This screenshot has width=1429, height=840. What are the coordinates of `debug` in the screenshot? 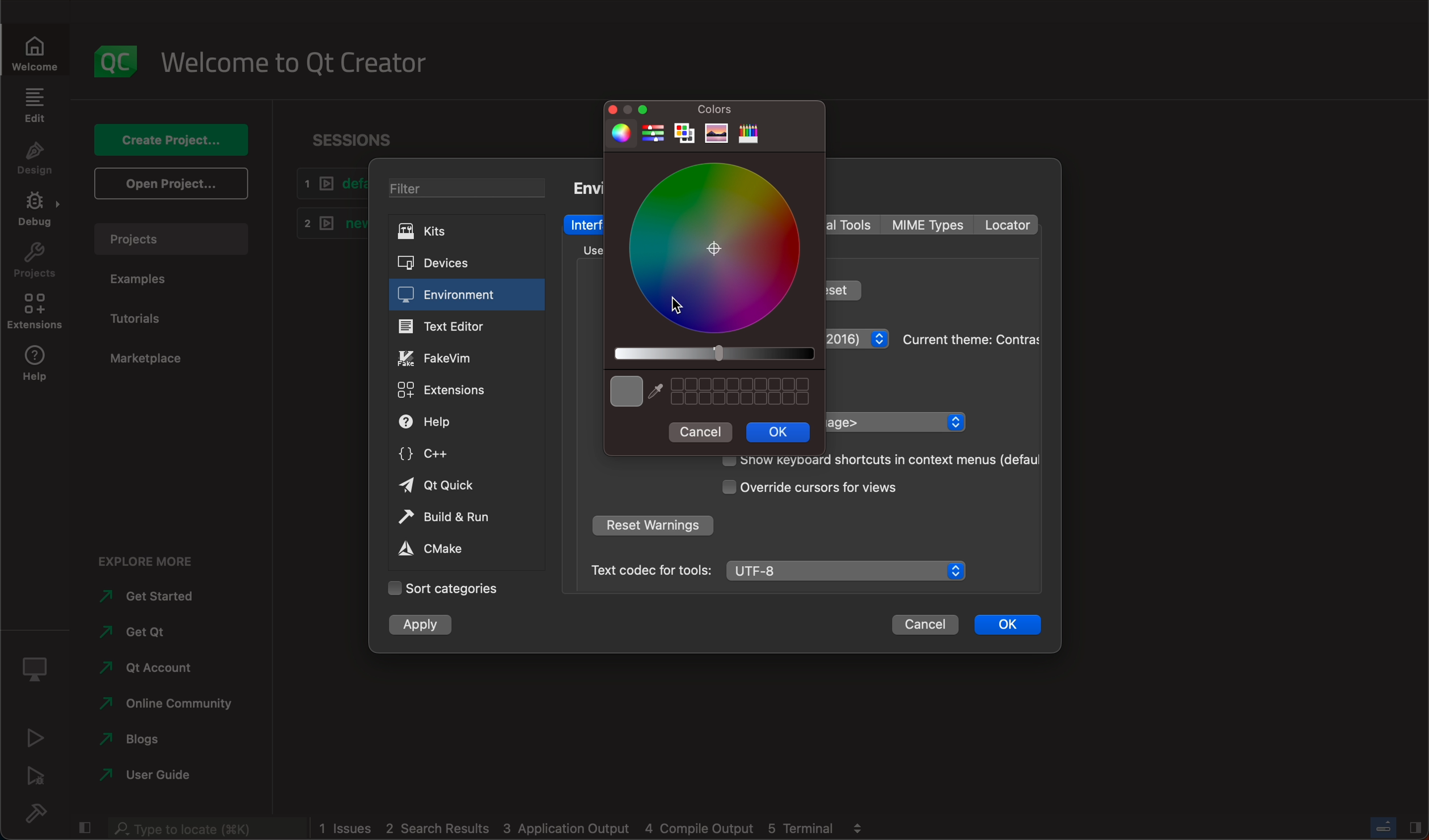 It's located at (39, 213).